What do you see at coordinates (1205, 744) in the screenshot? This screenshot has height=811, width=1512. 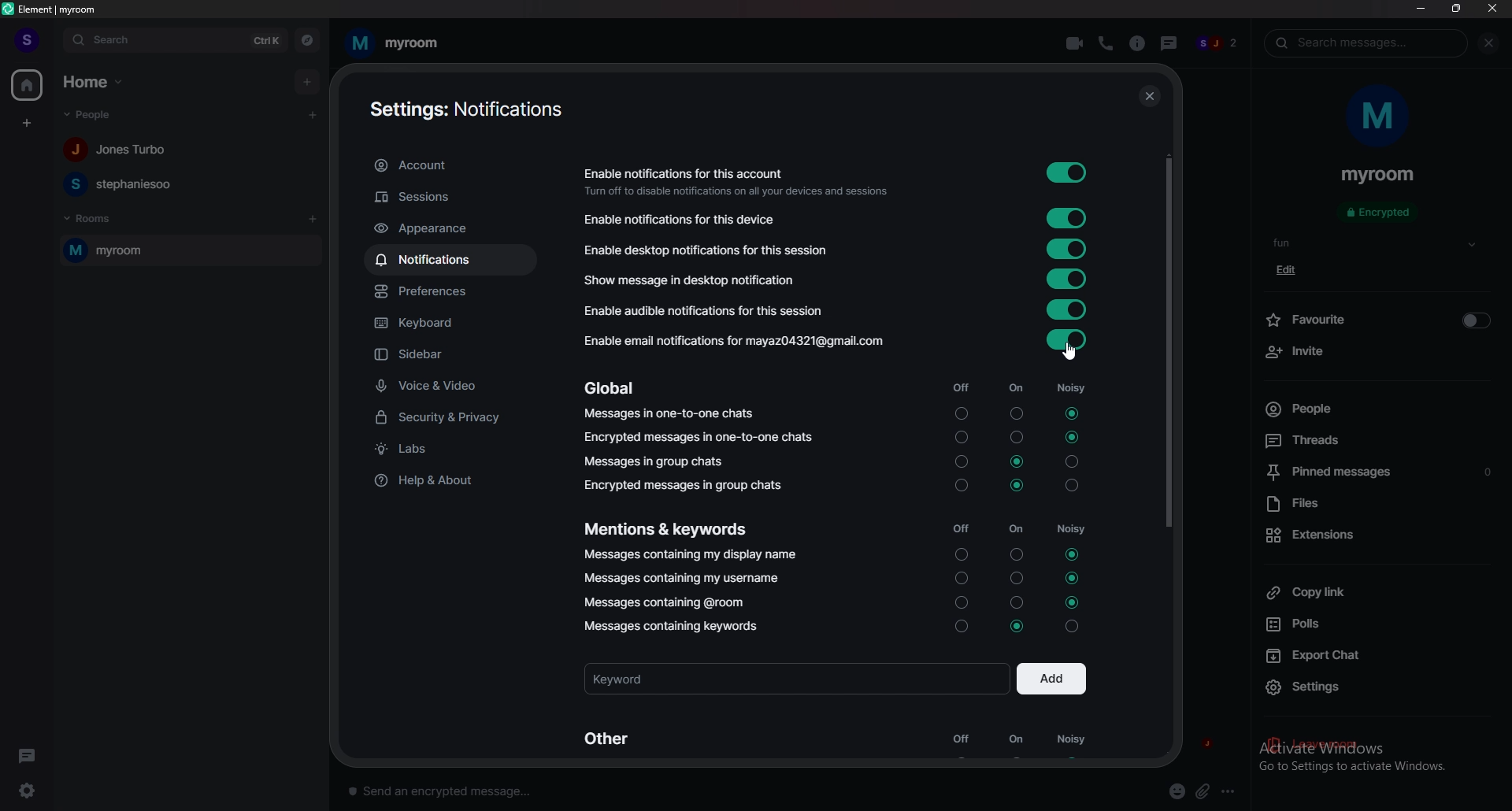 I see `j` at bounding box center [1205, 744].